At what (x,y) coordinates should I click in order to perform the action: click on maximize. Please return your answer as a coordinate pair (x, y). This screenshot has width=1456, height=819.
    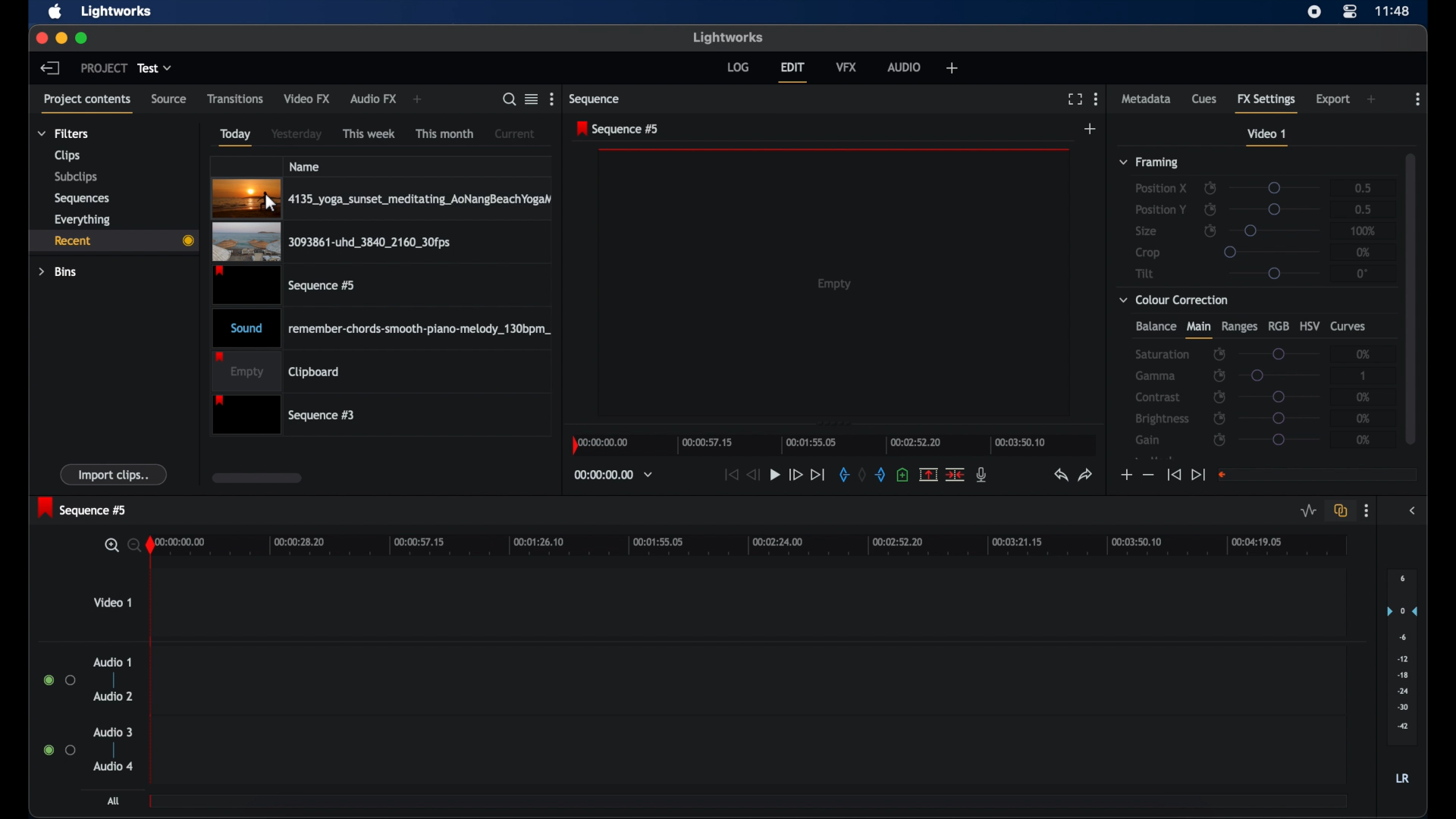
    Looking at the image, I should click on (82, 38).